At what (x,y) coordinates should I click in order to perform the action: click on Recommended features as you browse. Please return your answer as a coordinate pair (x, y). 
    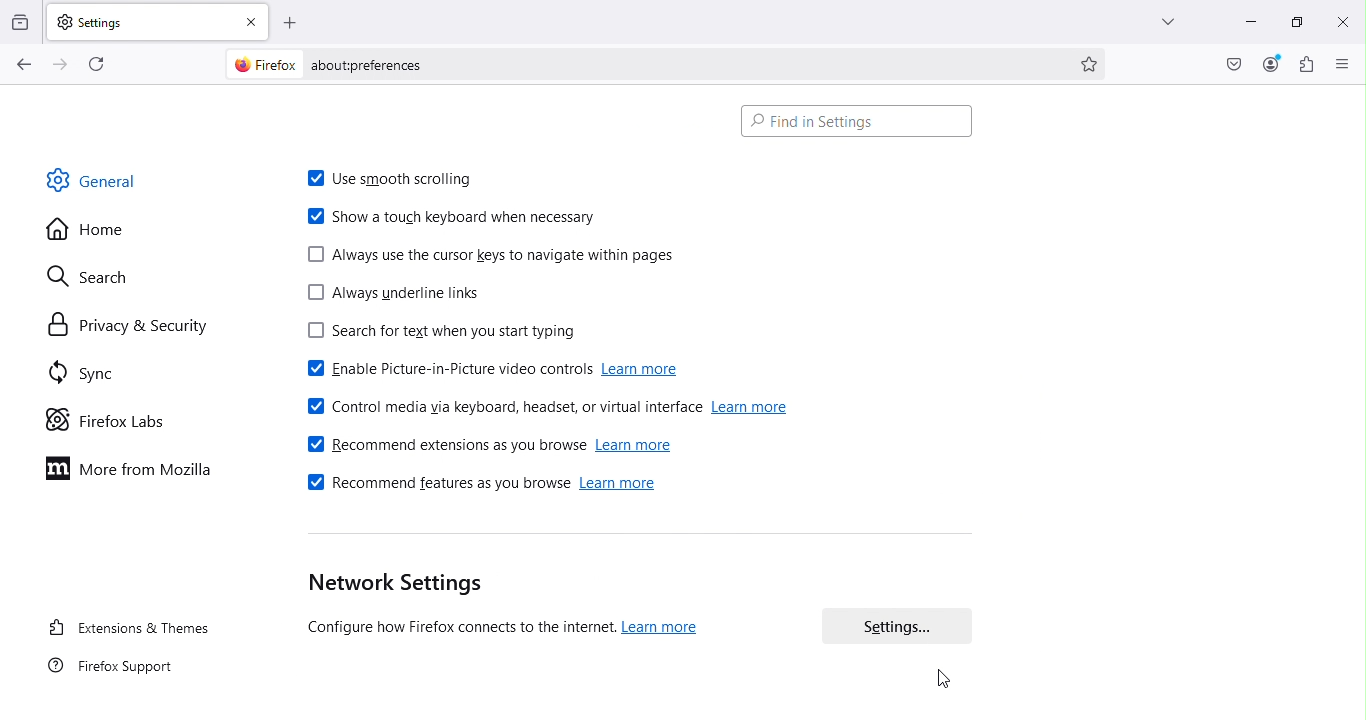
    Looking at the image, I should click on (478, 487).